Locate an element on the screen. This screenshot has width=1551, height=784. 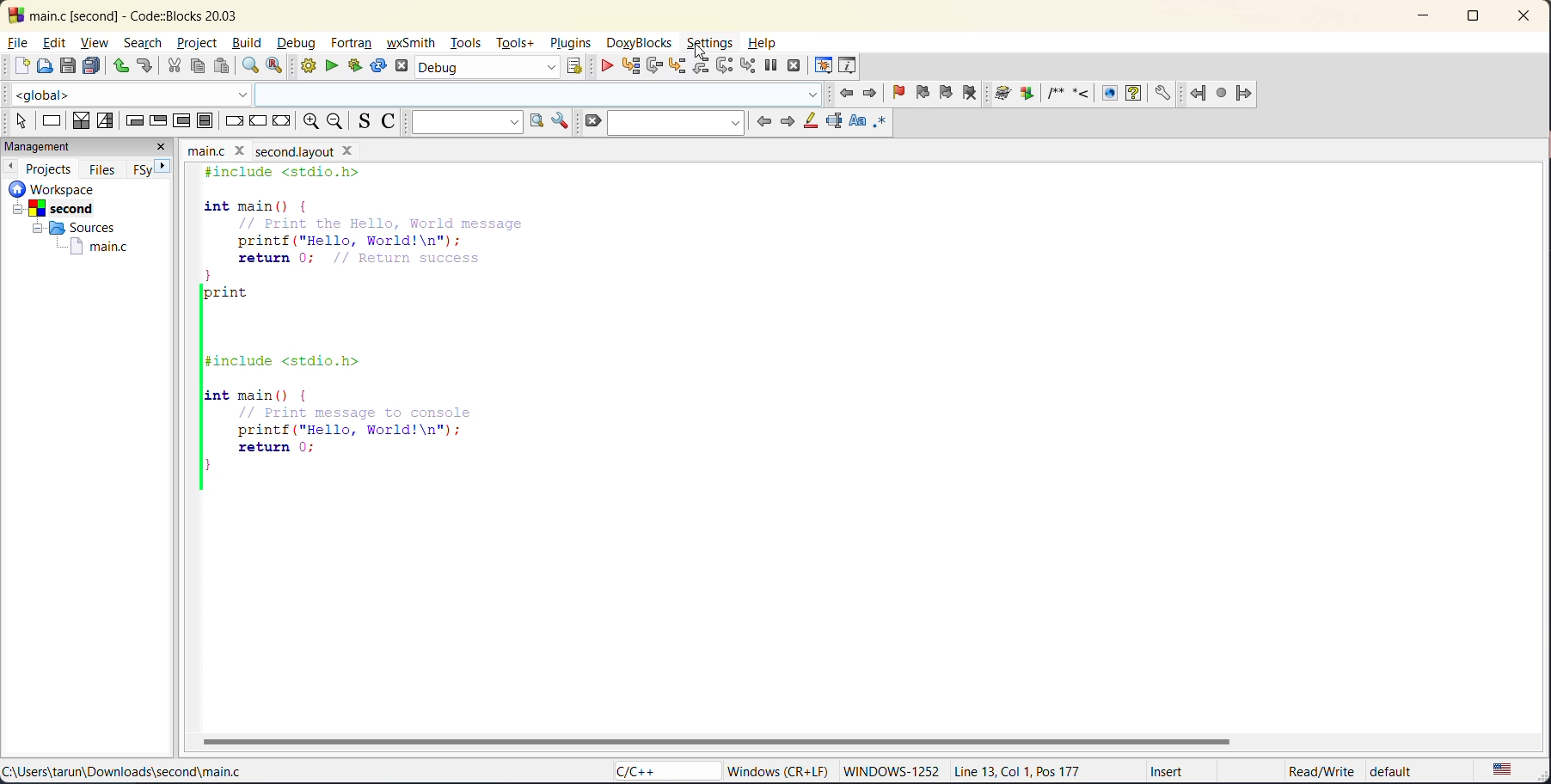
open is located at coordinates (44, 67).